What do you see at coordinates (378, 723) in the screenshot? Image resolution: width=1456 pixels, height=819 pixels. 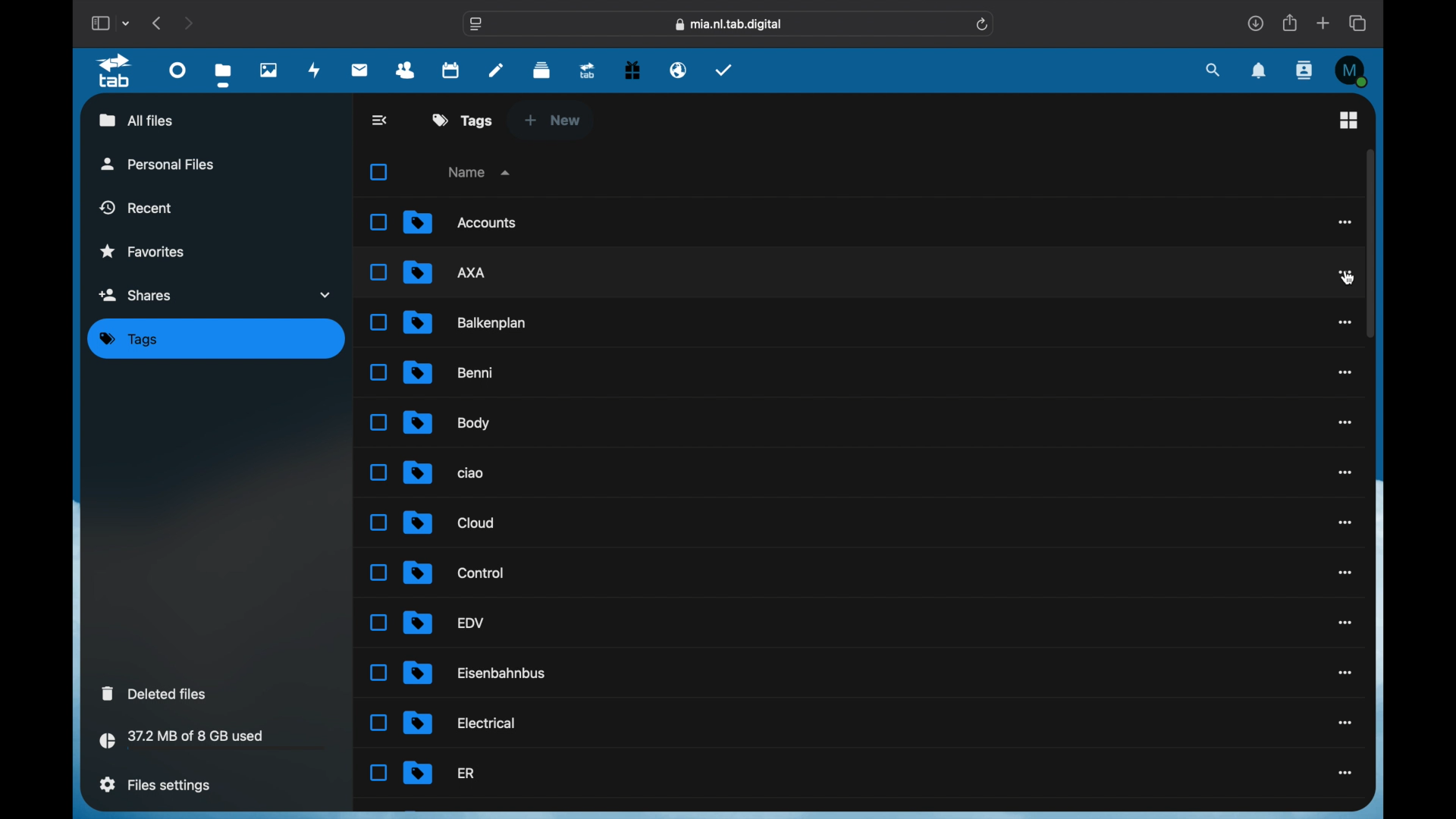 I see `Unselected Checkbox` at bounding box center [378, 723].